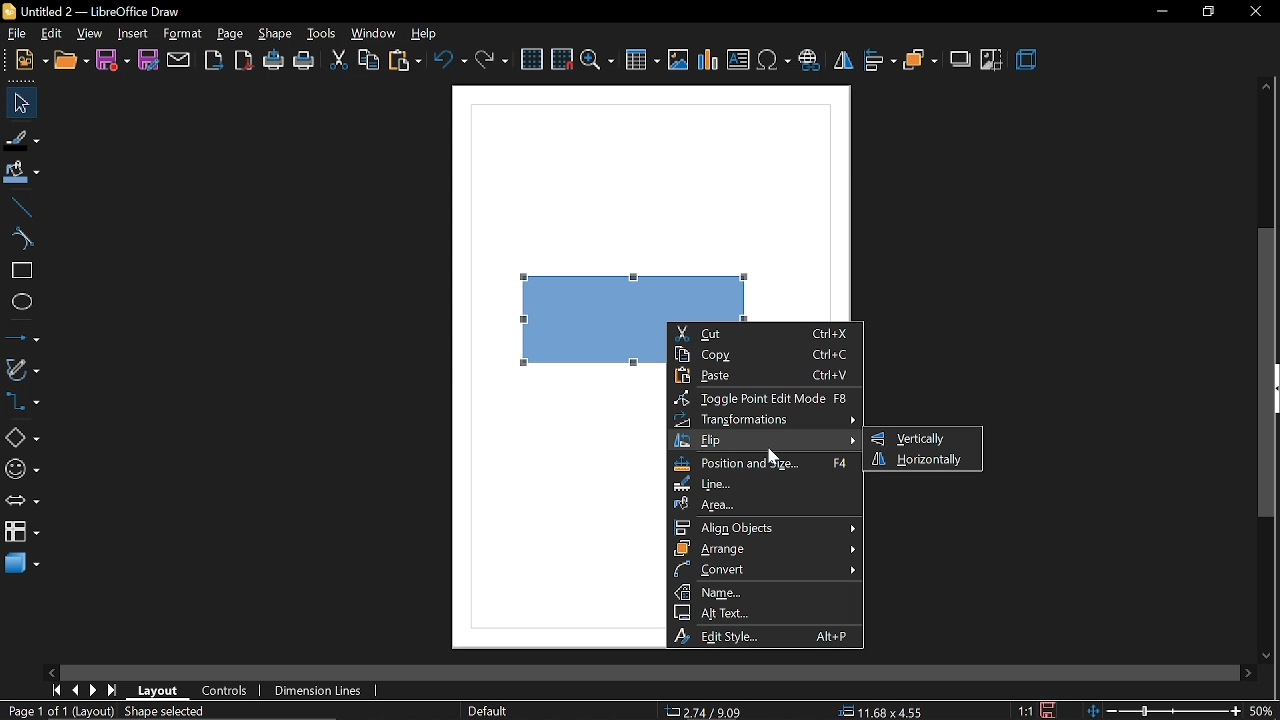 This screenshot has height=720, width=1280. Describe the element at coordinates (167, 713) in the screenshot. I see `shape selected` at that location.